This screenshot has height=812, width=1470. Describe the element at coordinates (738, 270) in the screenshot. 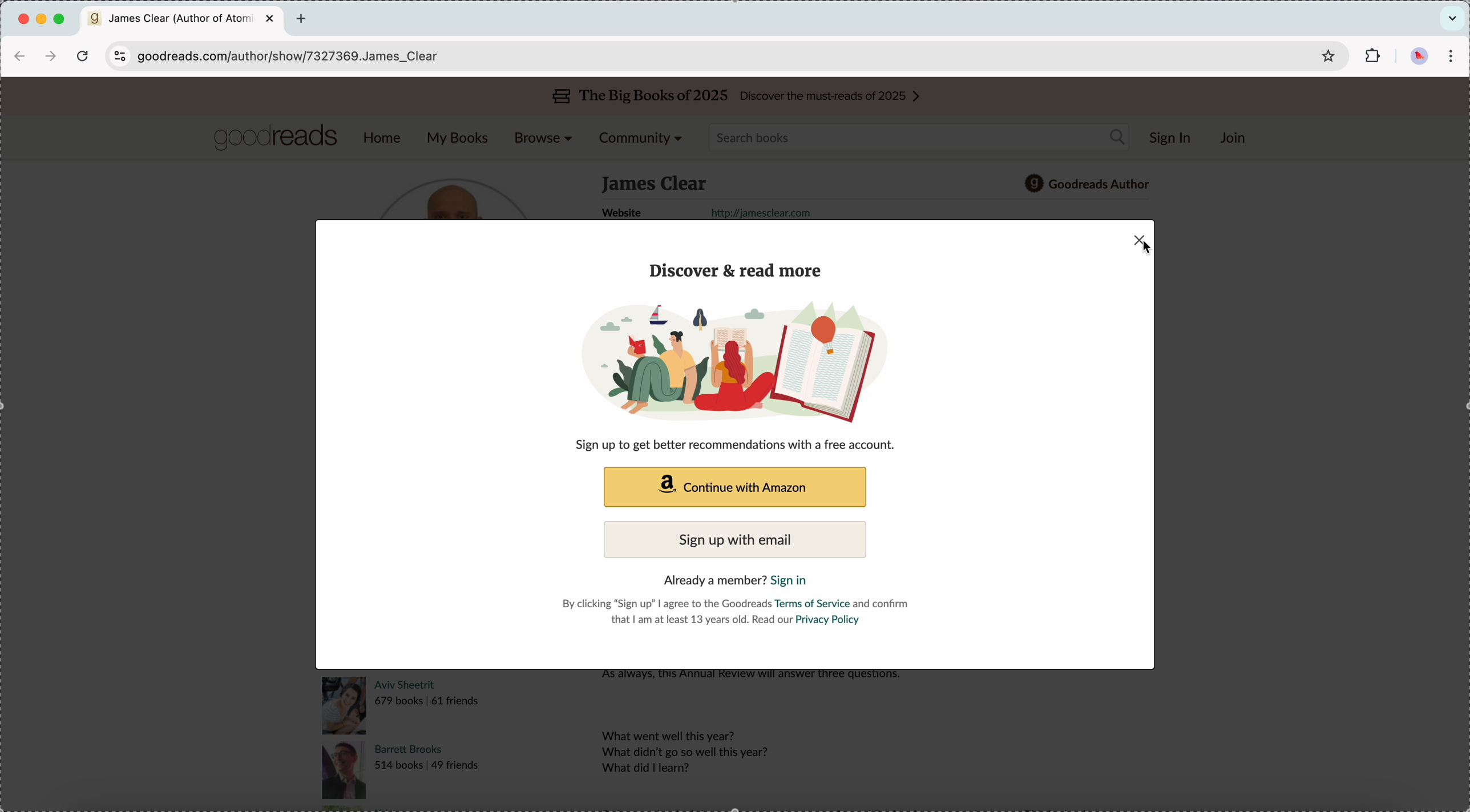

I see `Discover & read more` at that location.